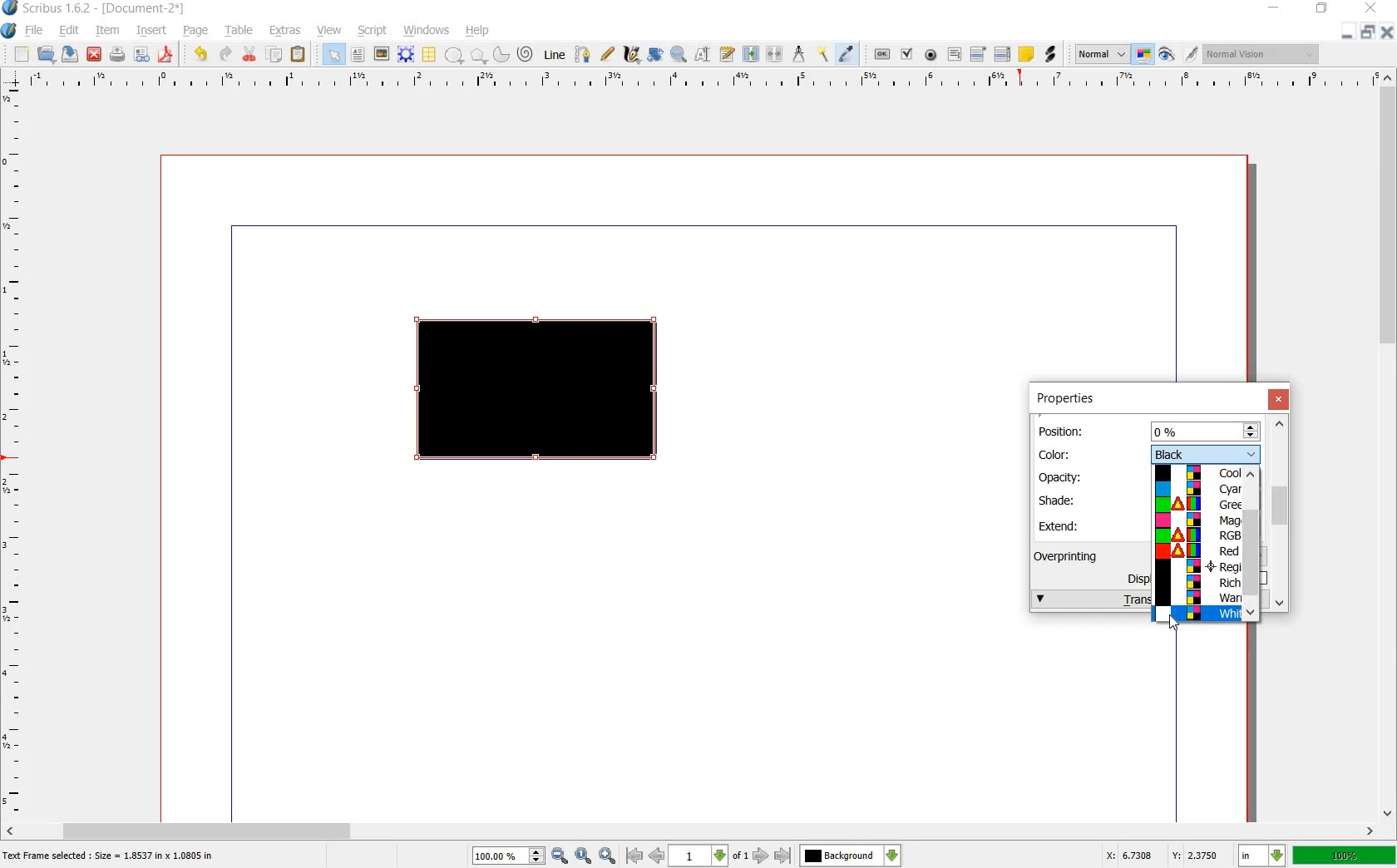  What do you see at coordinates (111, 857) in the screenshot?
I see `text frame selected : size = 1.8537 in x 1.0805 in` at bounding box center [111, 857].